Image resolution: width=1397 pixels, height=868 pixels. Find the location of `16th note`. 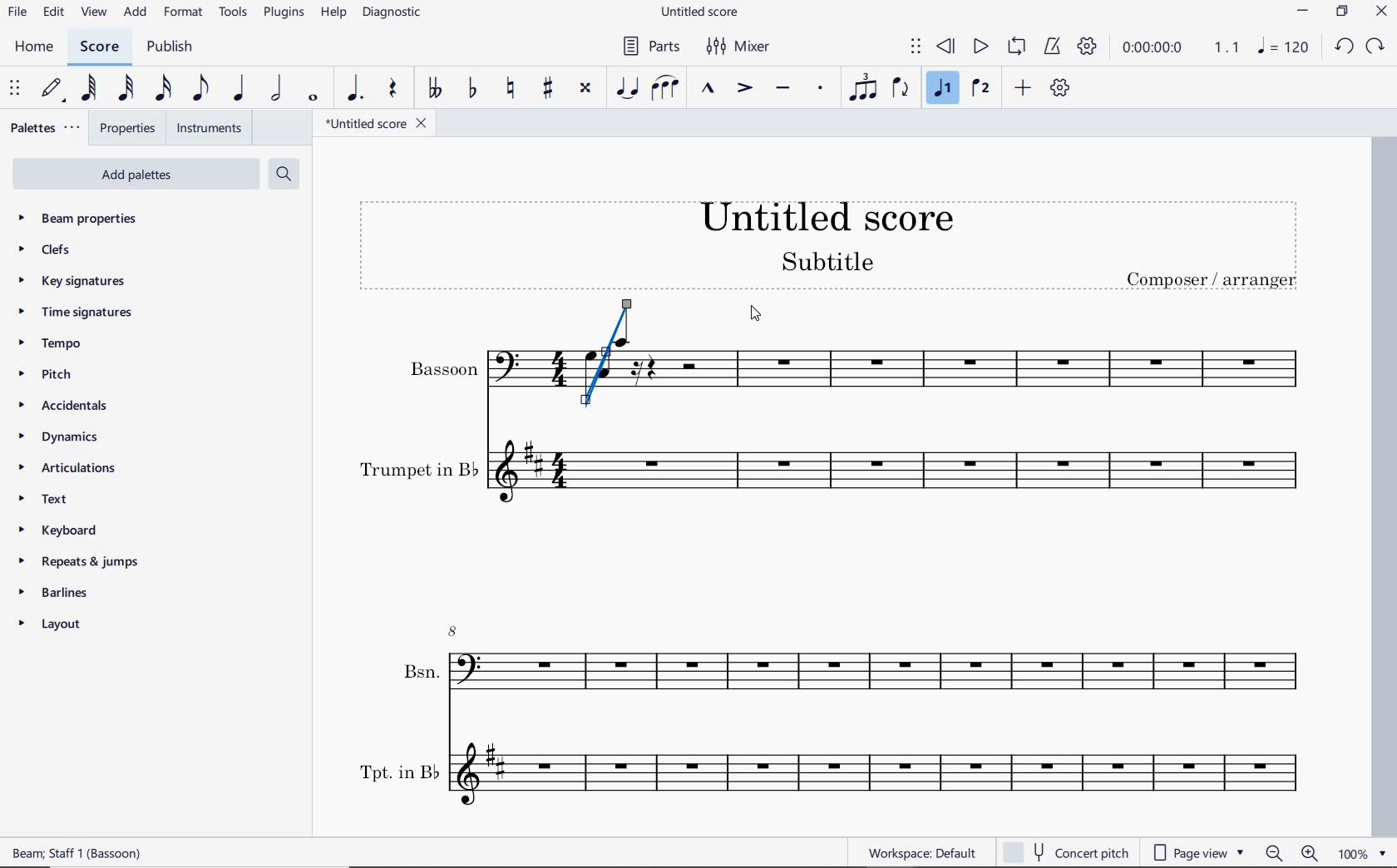

16th note is located at coordinates (164, 90).